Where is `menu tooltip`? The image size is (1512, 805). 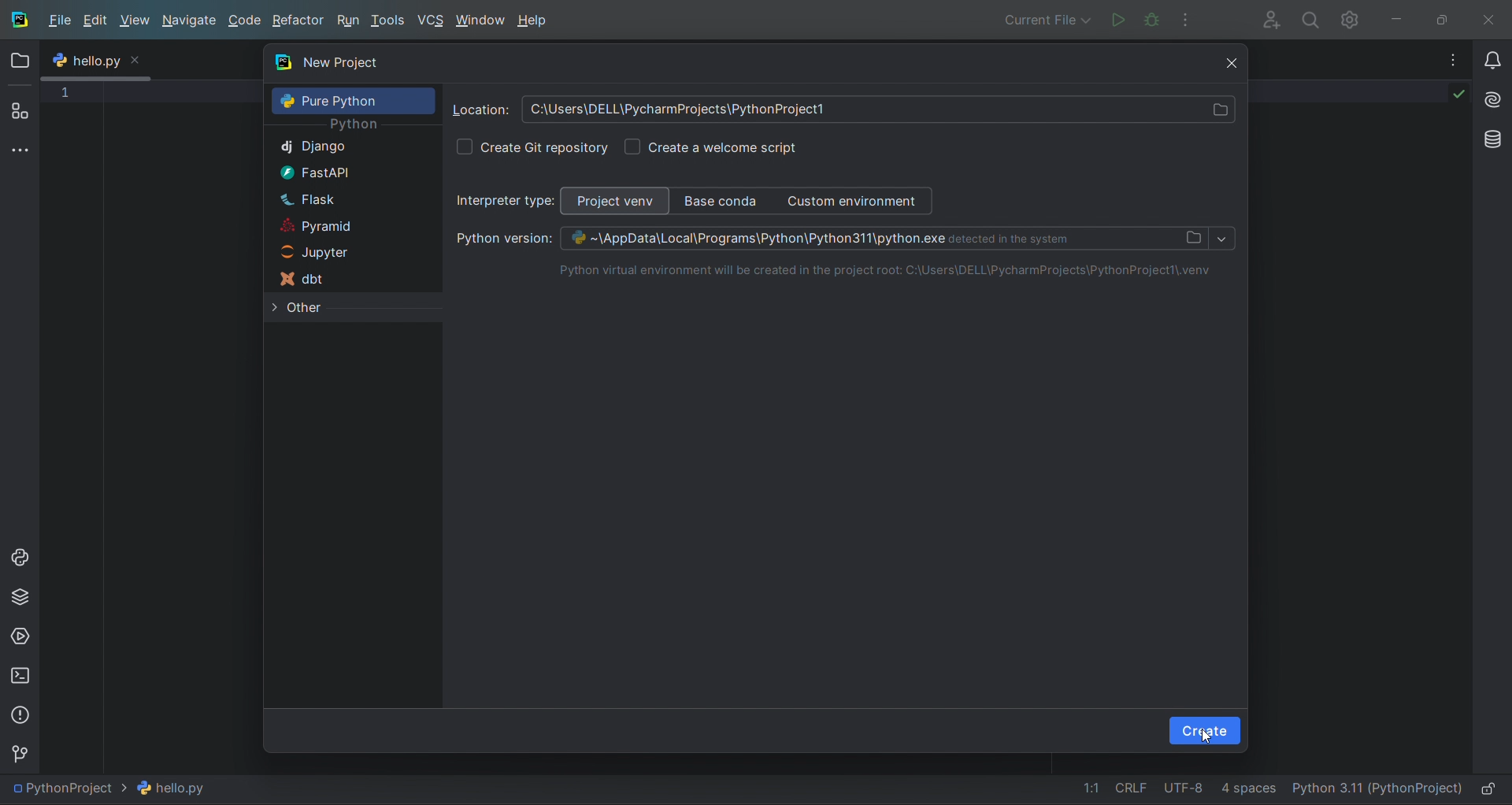 menu tooltip is located at coordinates (107, 60).